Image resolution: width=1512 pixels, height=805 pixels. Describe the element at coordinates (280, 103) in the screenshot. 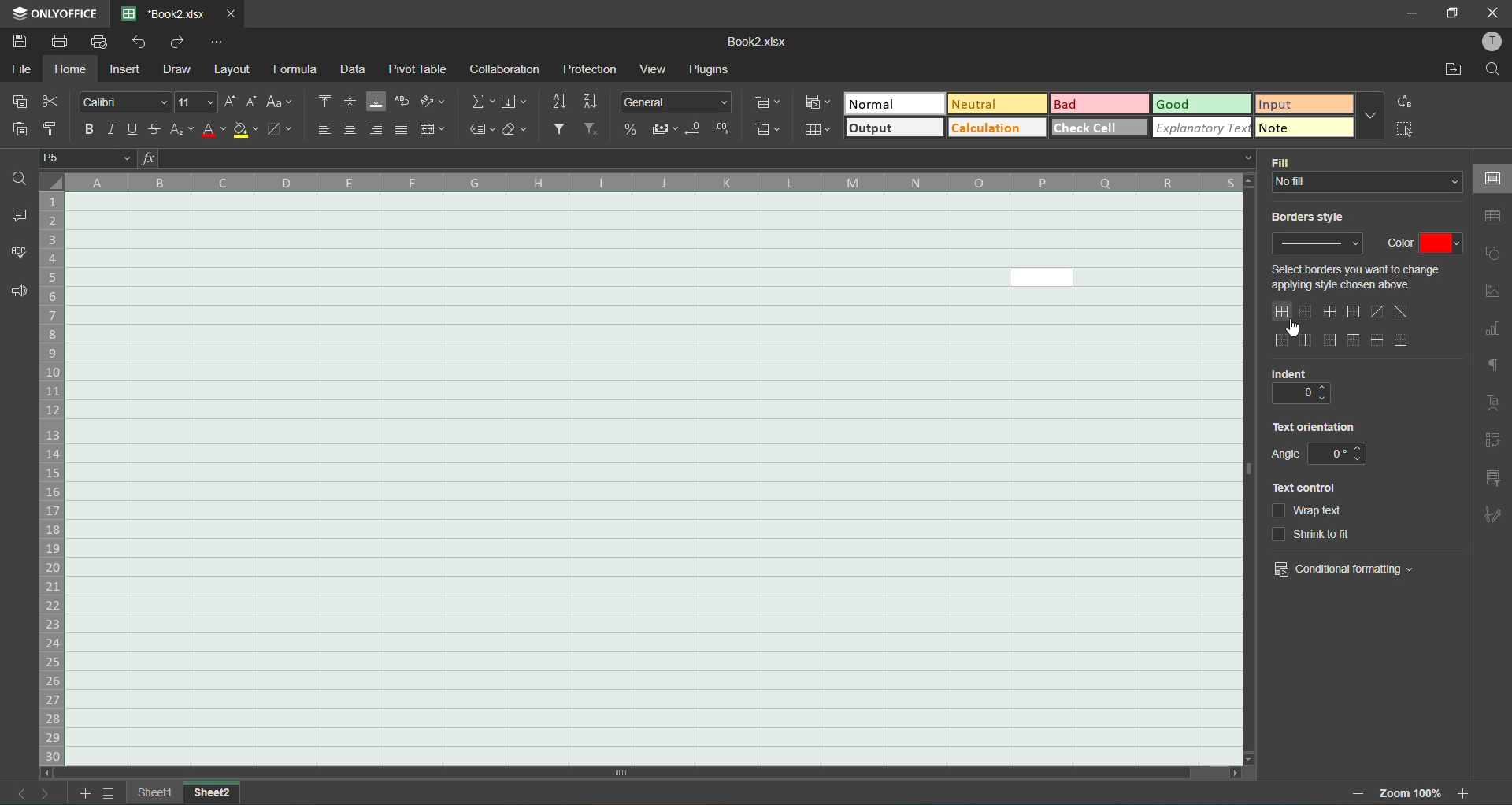

I see `change case` at that location.